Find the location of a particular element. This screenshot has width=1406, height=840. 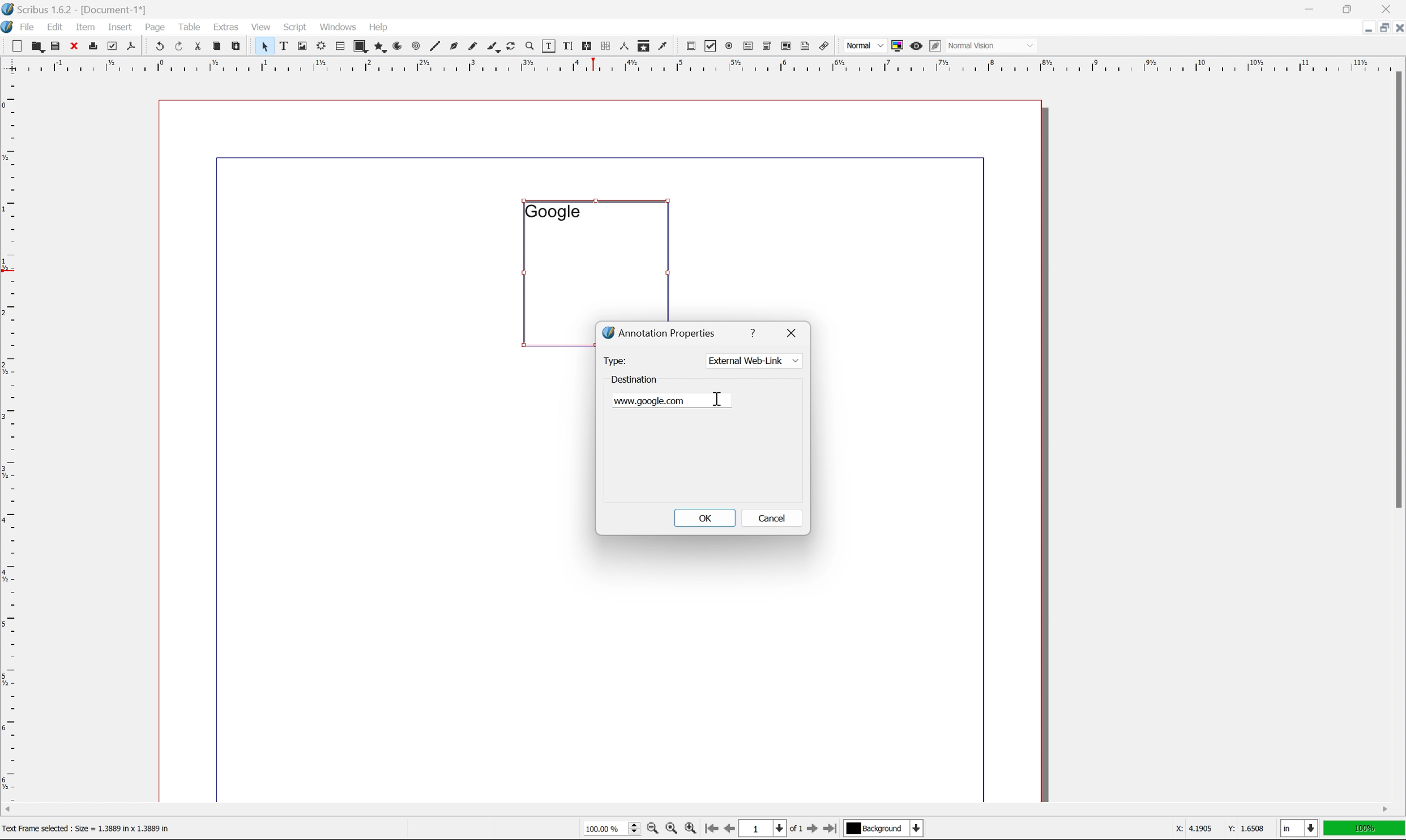

edit contents of frame is located at coordinates (548, 45).